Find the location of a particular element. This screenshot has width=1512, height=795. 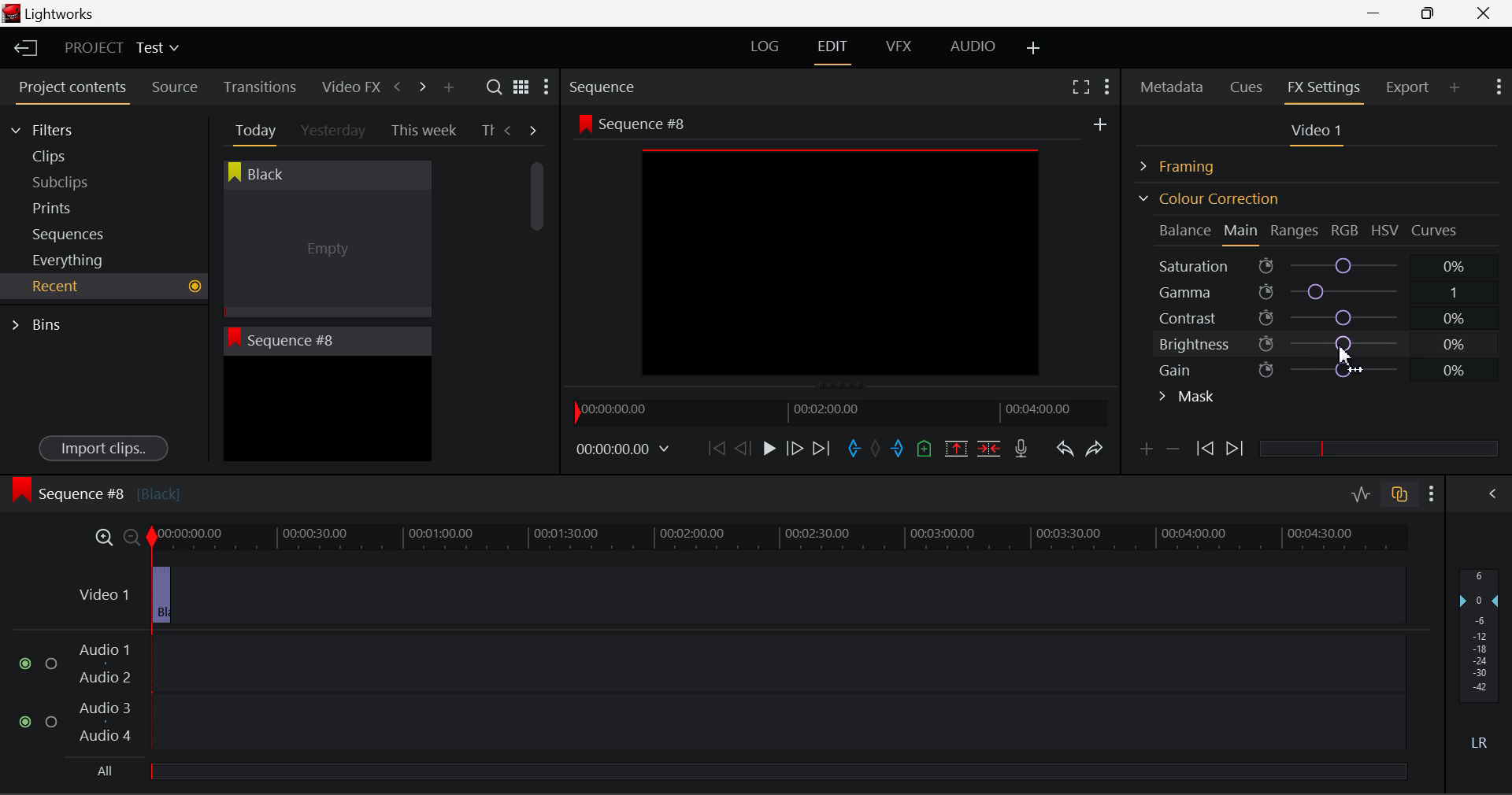

Remove All Marks is located at coordinates (877, 450).